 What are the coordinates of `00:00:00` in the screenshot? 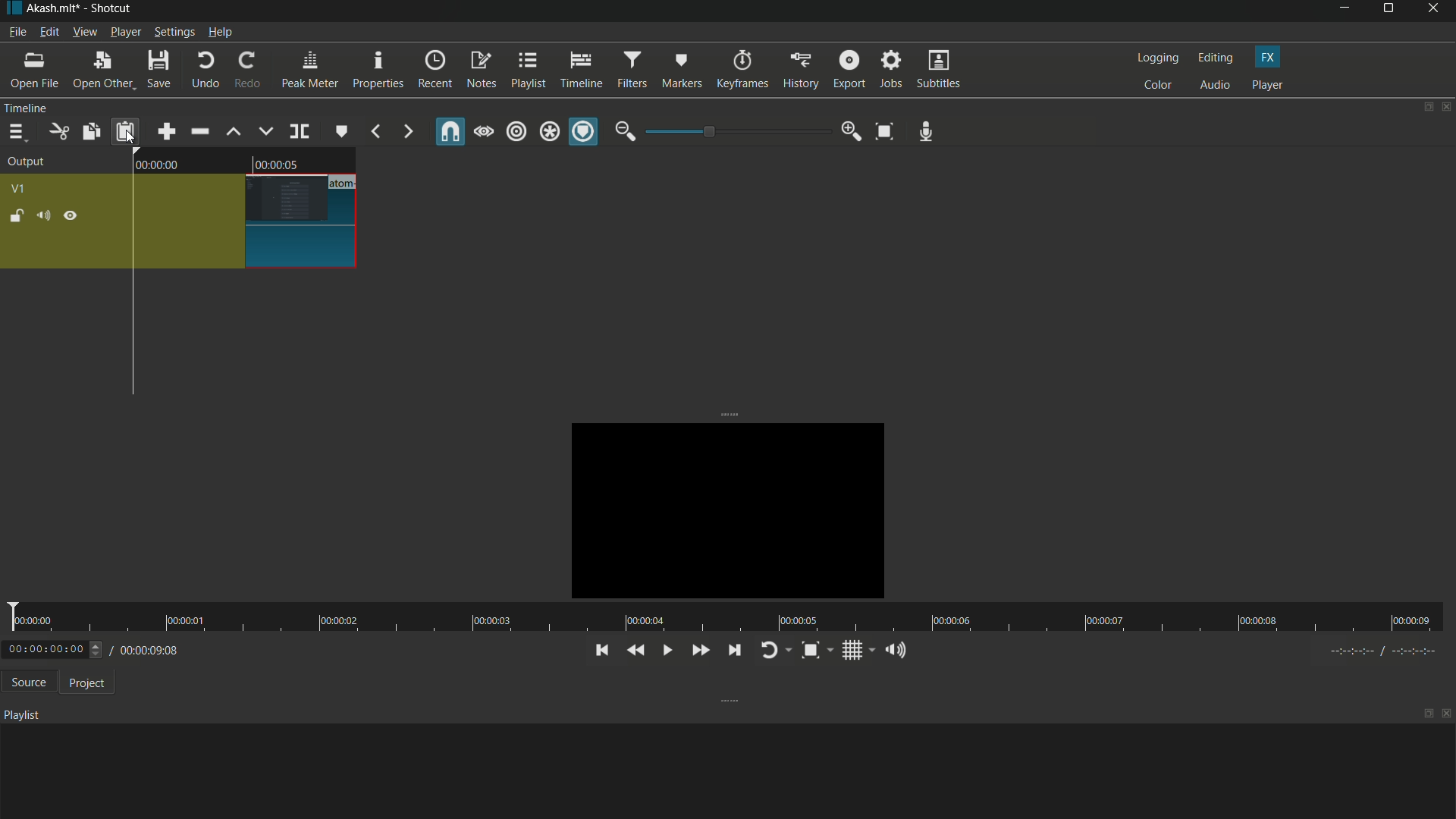 It's located at (168, 165).